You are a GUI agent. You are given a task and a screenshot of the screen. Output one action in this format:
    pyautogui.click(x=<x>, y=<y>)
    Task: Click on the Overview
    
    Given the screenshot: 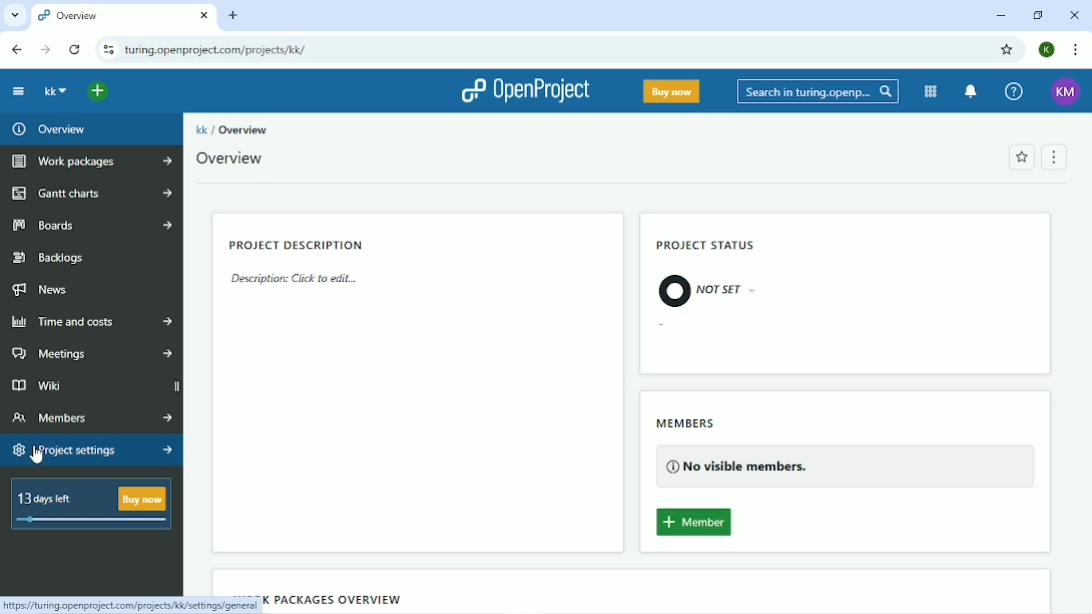 What is the action you would take?
    pyautogui.click(x=231, y=159)
    